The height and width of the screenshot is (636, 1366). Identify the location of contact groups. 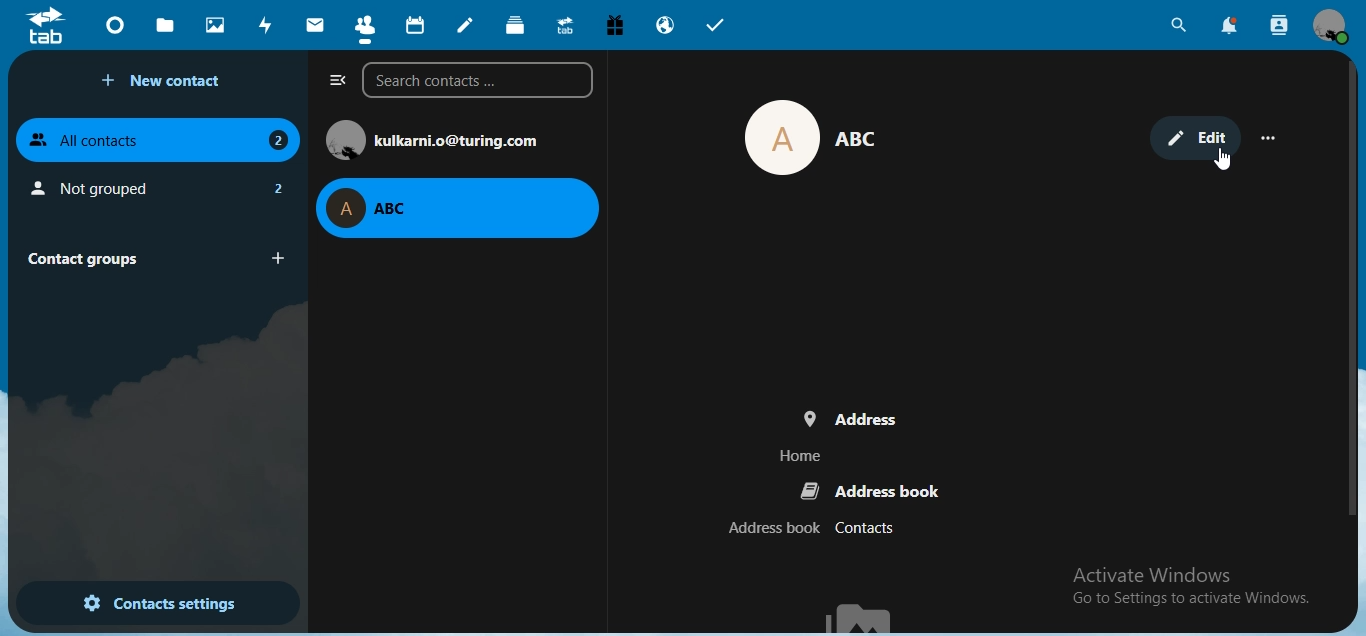
(151, 257).